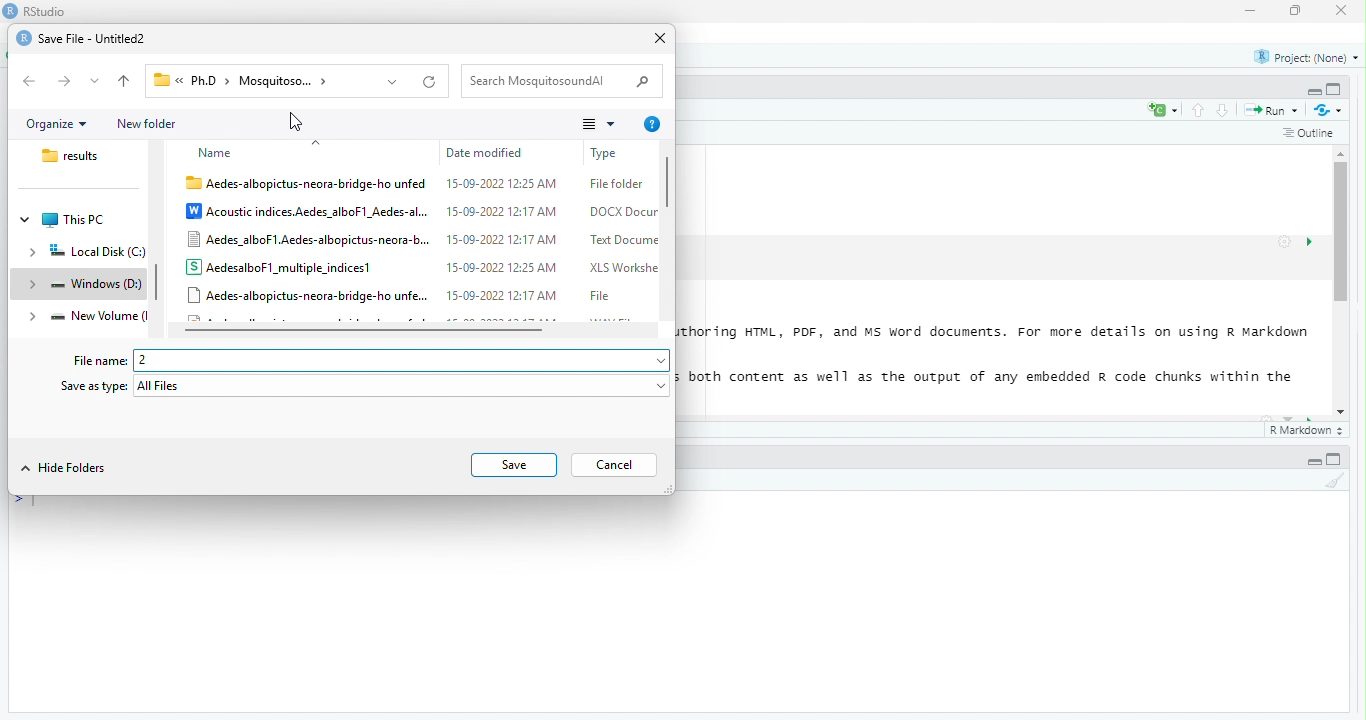 The image size is (1366, 720). I want to click on RStudio, so click(46, 11).